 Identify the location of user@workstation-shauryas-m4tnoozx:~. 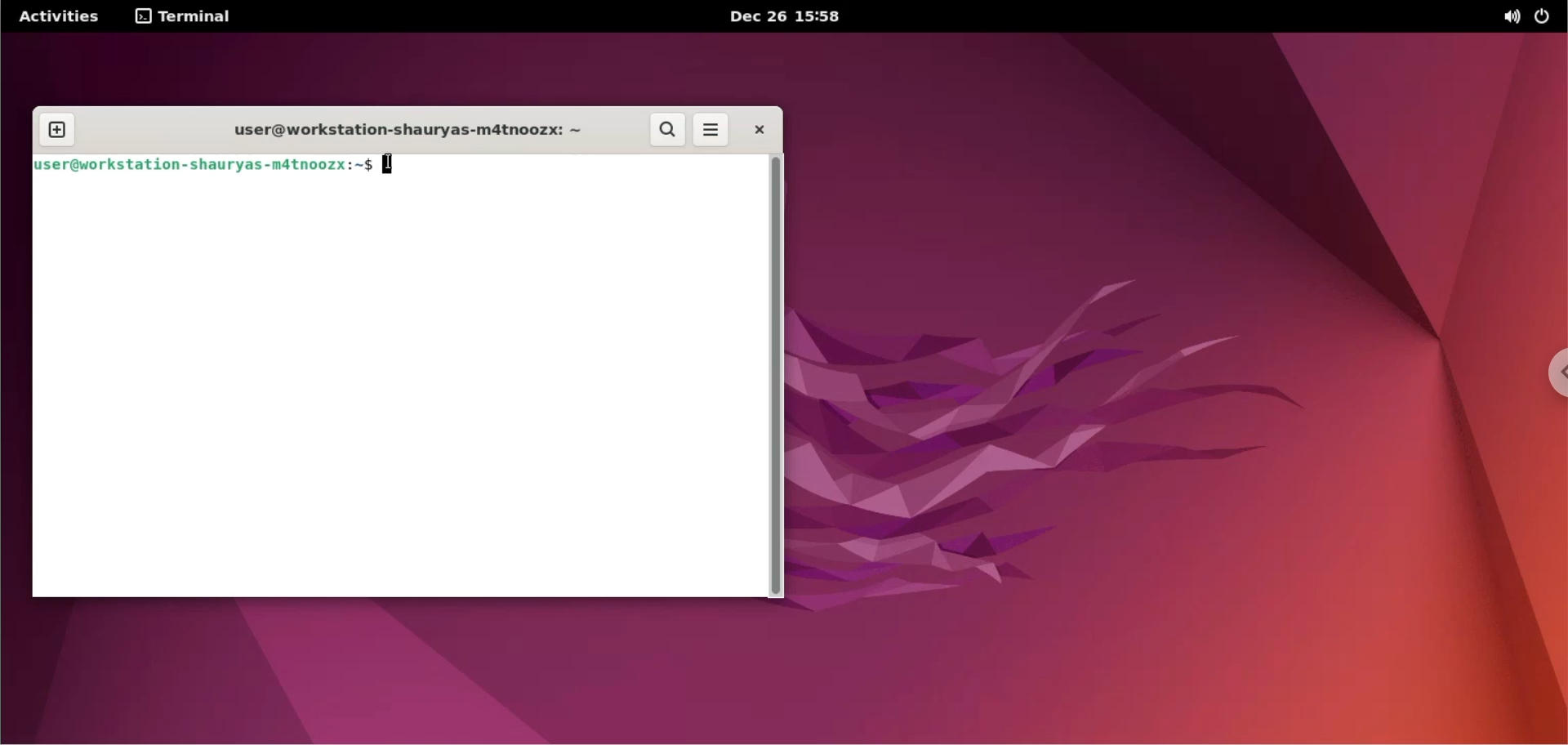
(394, 131).